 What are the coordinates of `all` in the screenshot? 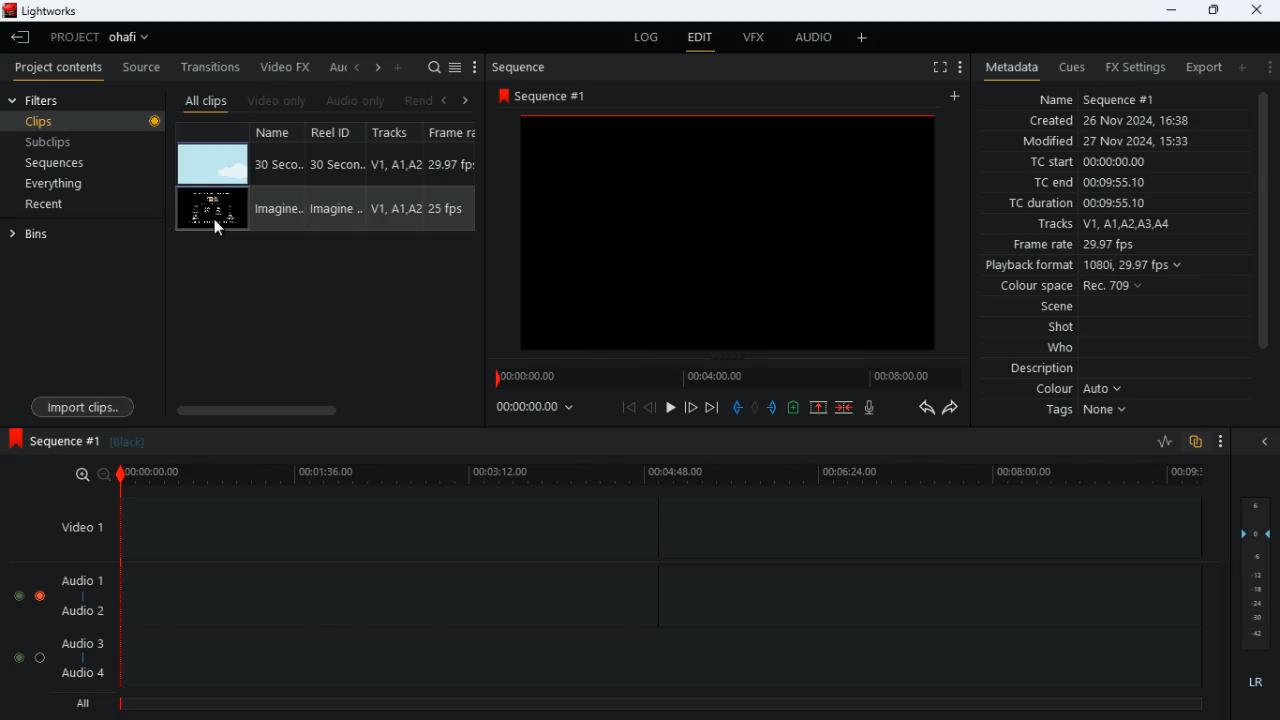 It's located at (87, 704).